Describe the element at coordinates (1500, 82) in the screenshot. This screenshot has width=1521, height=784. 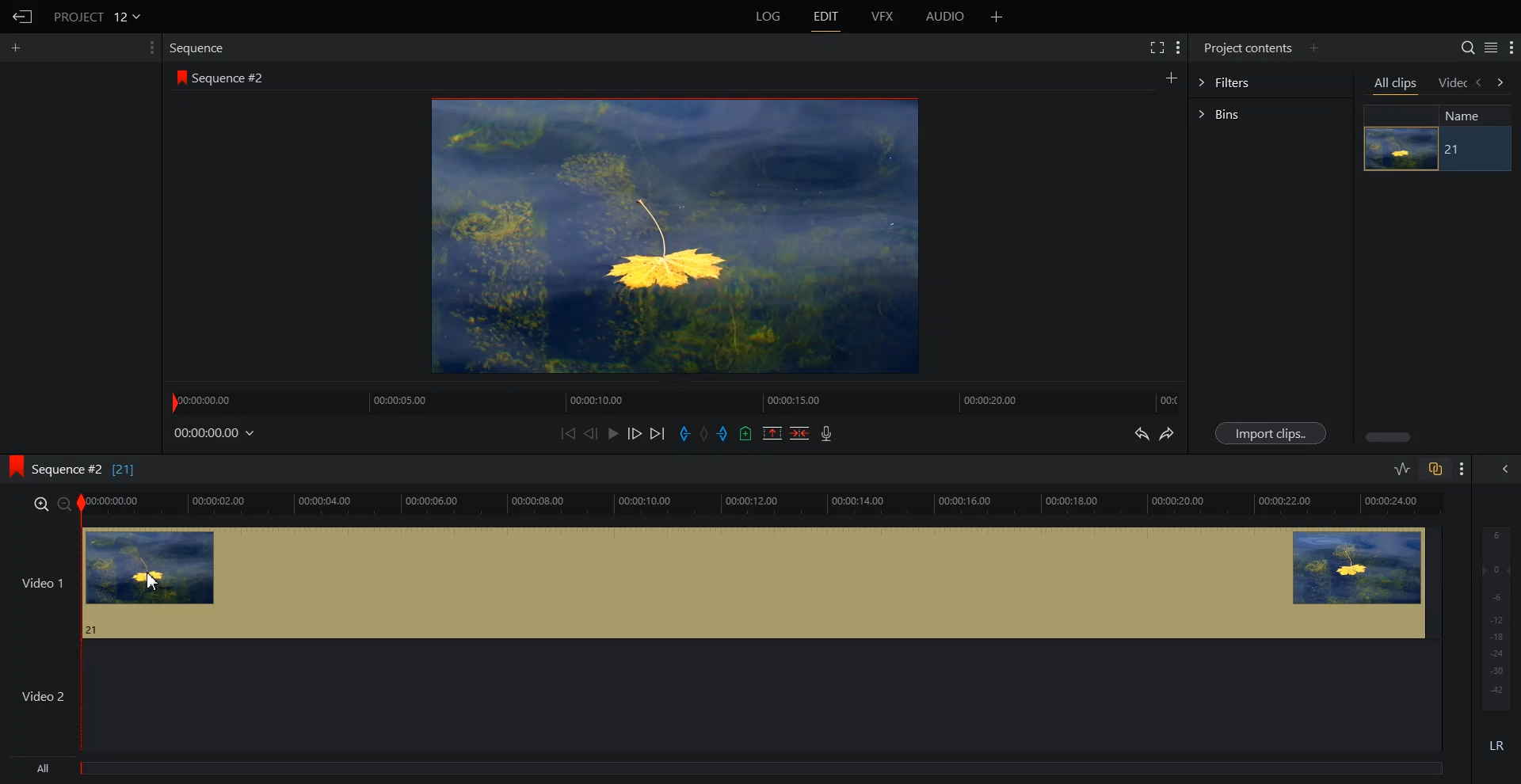
I see `Move forwaars` at that location.